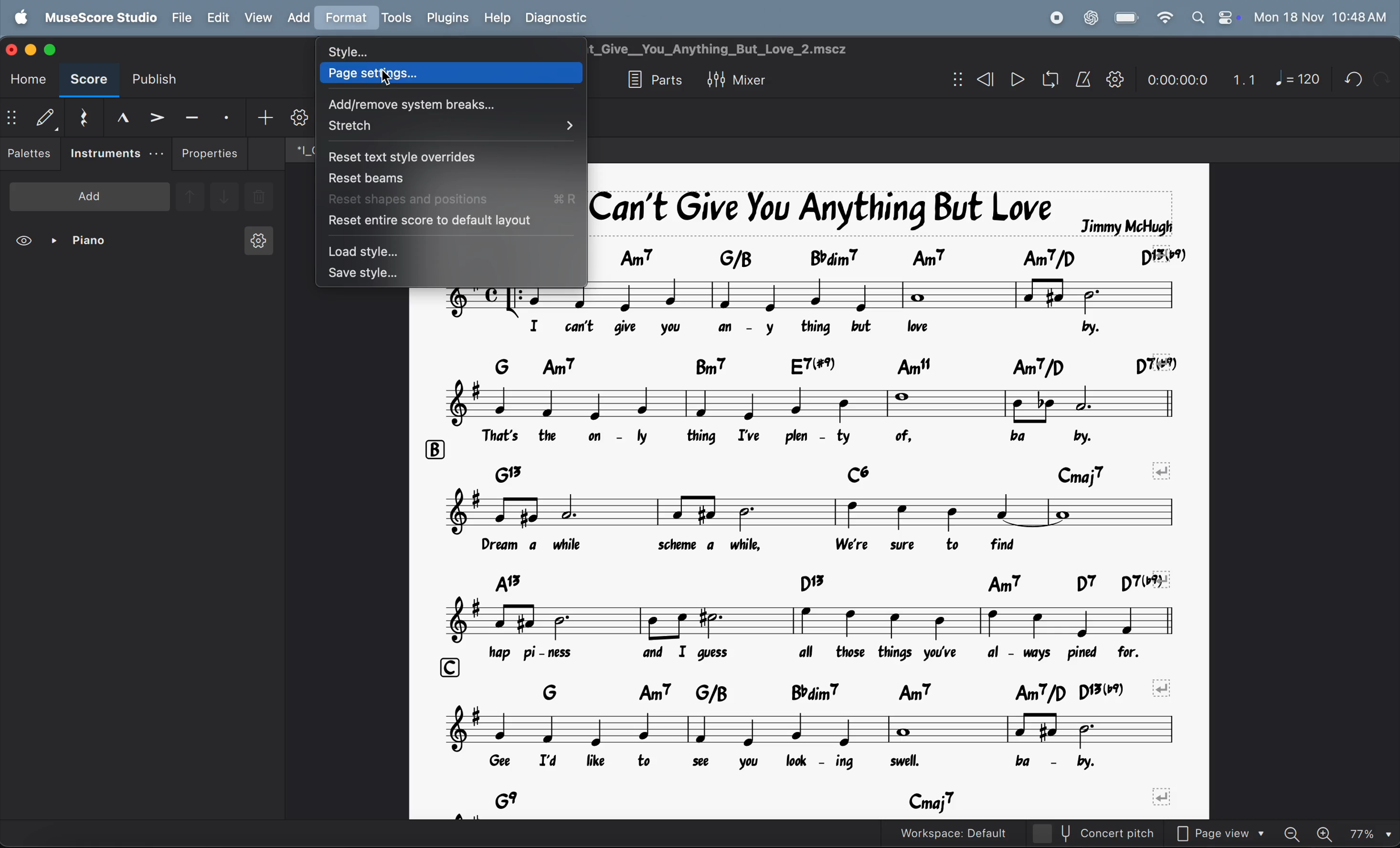 Image resolution: width=1400 pixels, height=848 pixels. I want to click on add, so click(298, 17).